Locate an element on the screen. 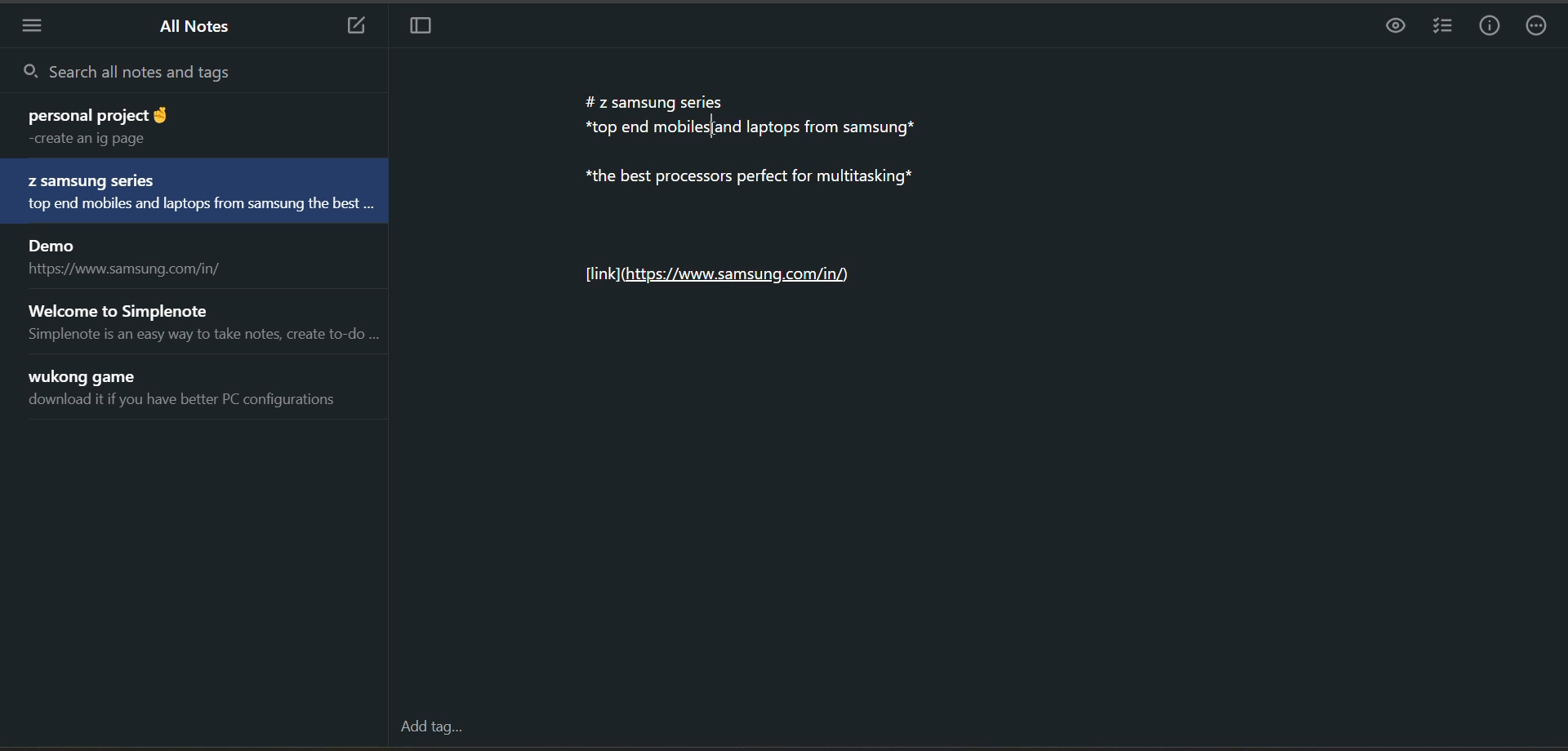 The image size is (1568, 751). all notes is located at coordinates (200, 28).